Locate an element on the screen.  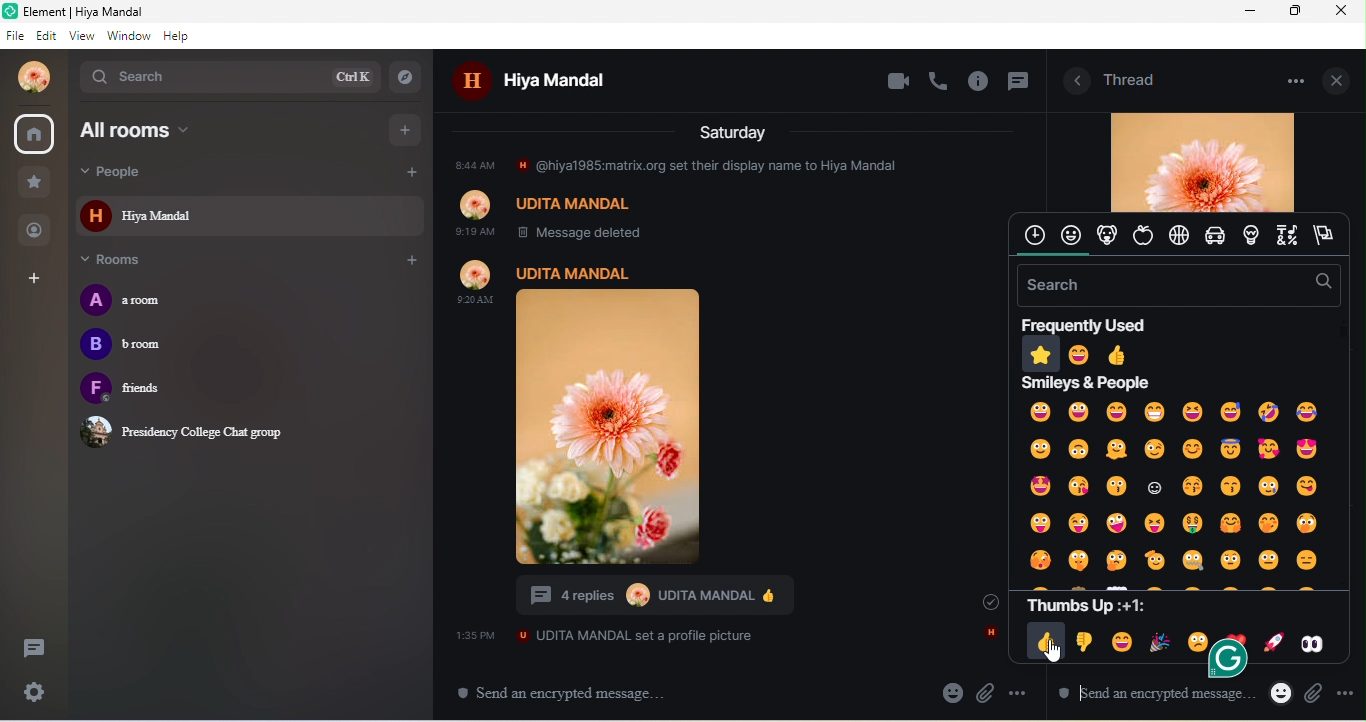
maximize is located at coordinates (1297, 11).